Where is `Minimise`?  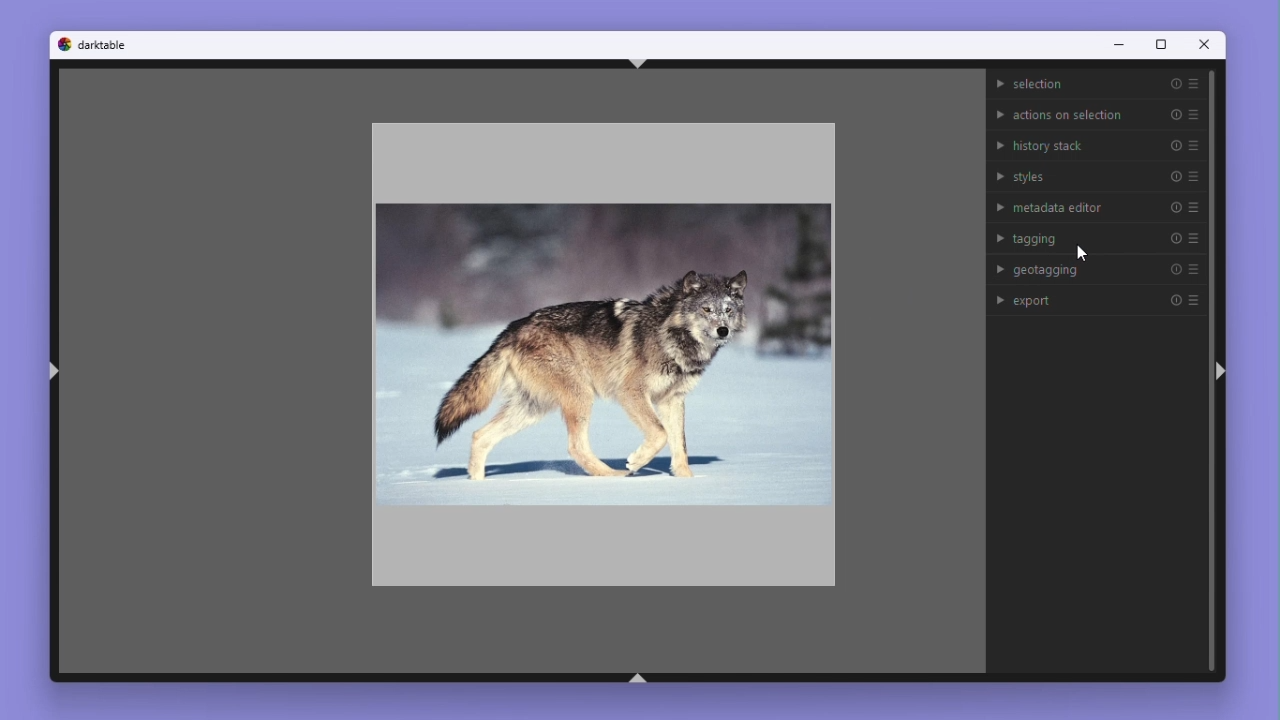
Minimise is located at coordinates (1116, 46).